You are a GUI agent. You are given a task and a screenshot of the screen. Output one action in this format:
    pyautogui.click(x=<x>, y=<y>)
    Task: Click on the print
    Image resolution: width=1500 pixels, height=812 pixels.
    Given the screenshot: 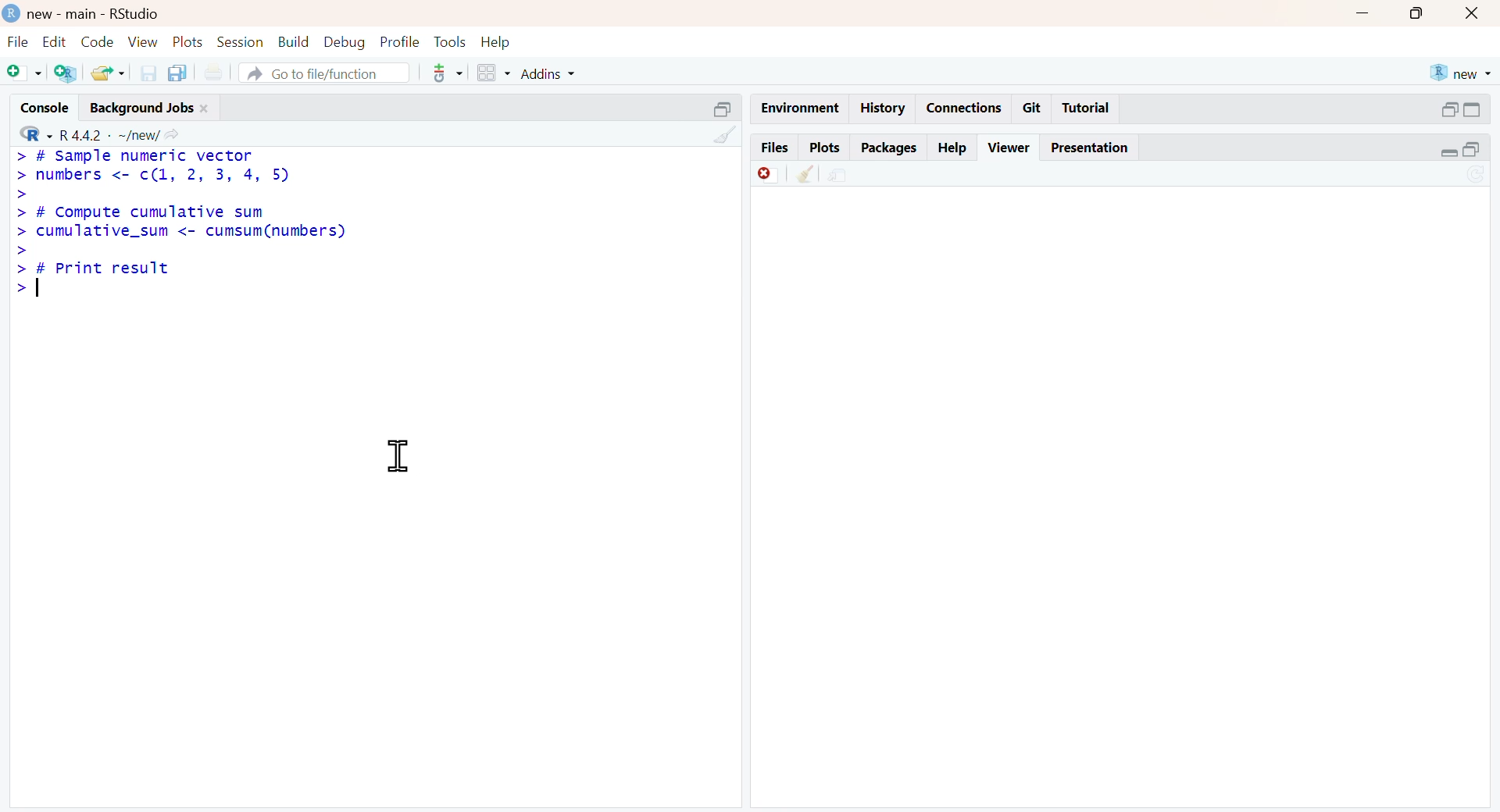 What is the action you would take?
    pyautogui.click(x=214, y=72)
    